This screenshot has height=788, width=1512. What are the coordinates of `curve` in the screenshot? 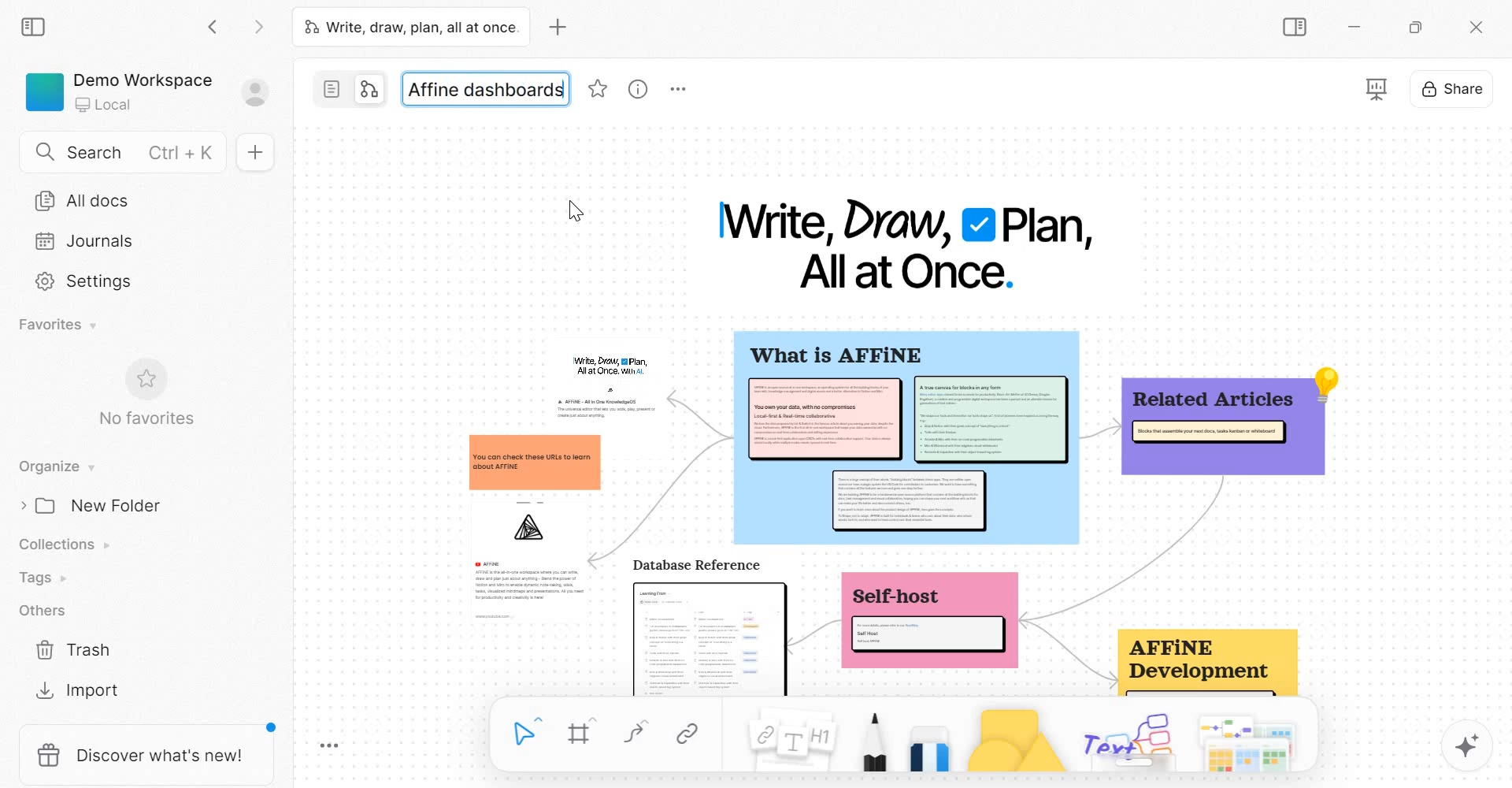 It's located at (634, 734).